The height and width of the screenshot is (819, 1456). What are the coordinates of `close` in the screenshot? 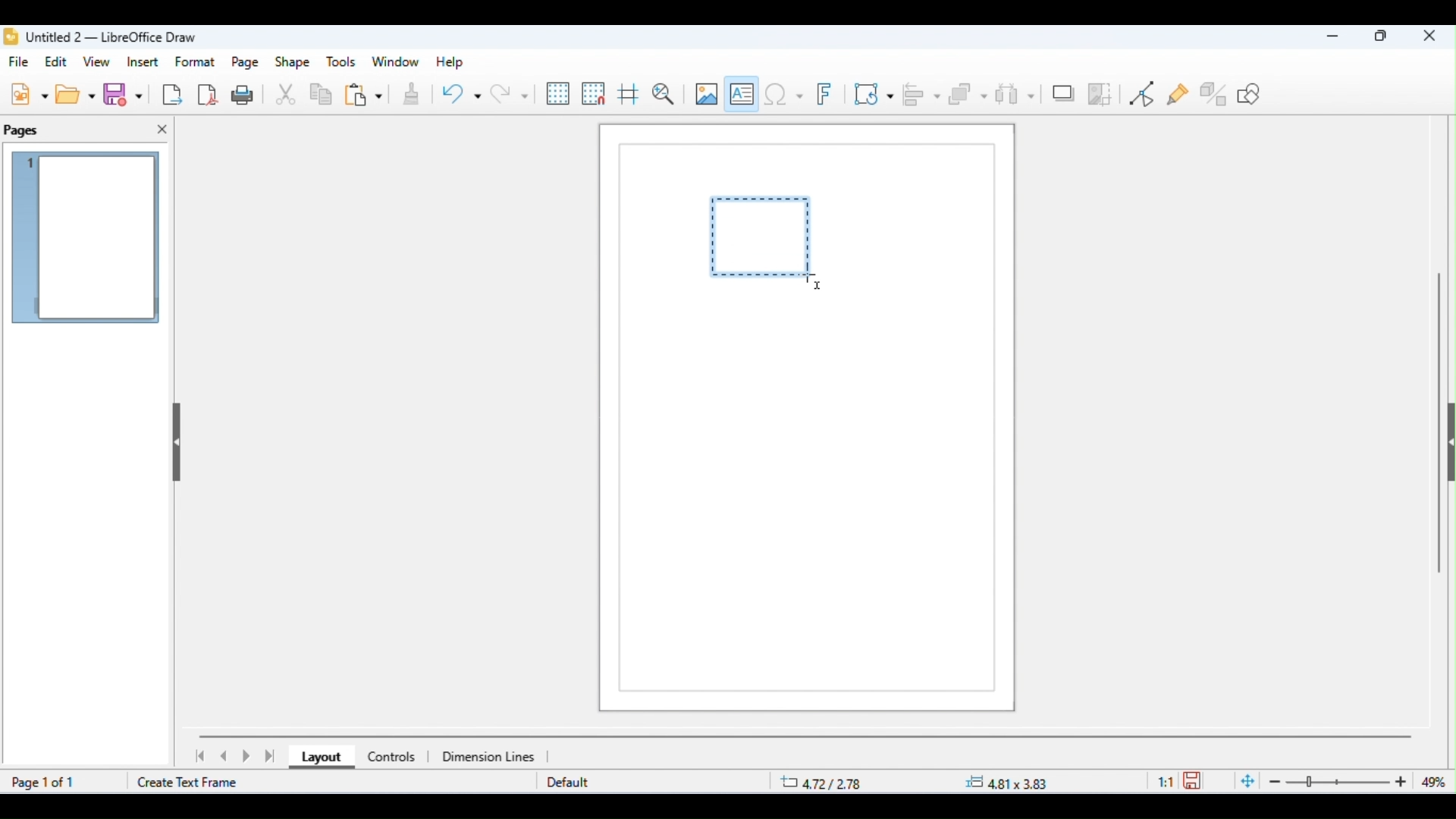 It's located at (162, 130).